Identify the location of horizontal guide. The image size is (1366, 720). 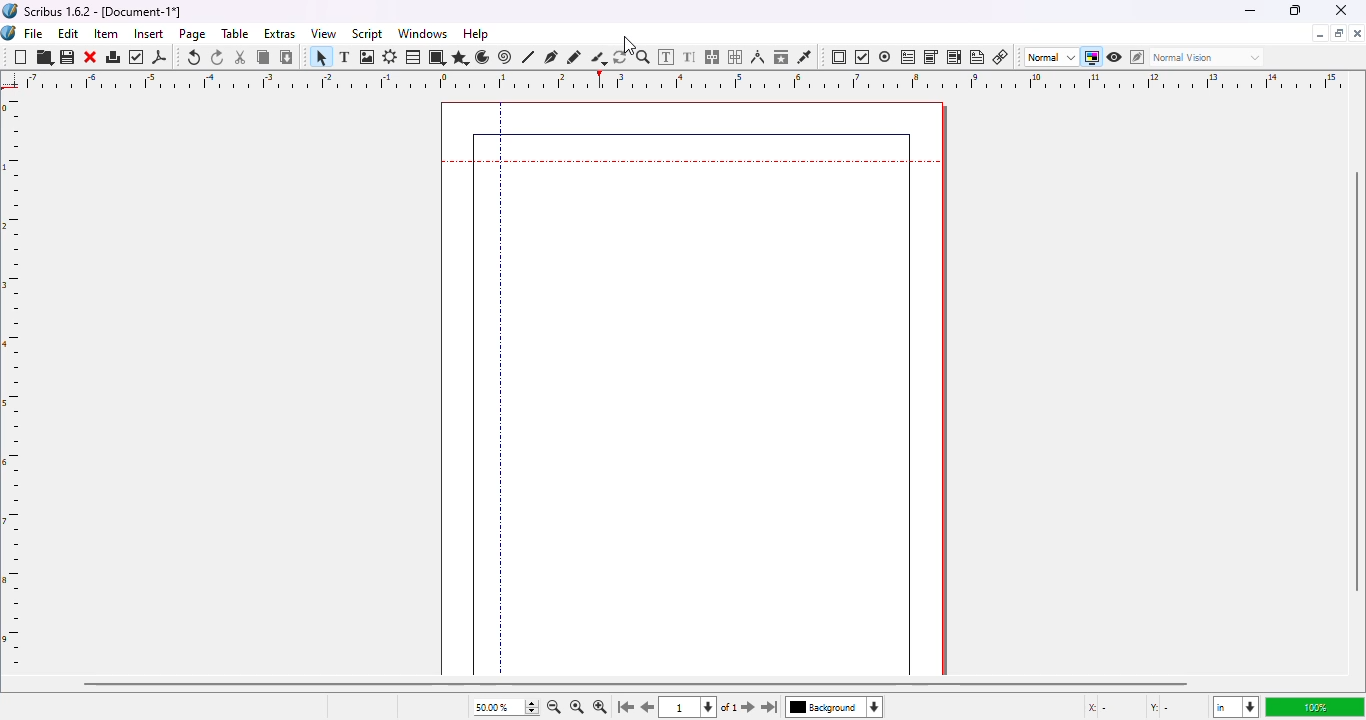
(692, 163).